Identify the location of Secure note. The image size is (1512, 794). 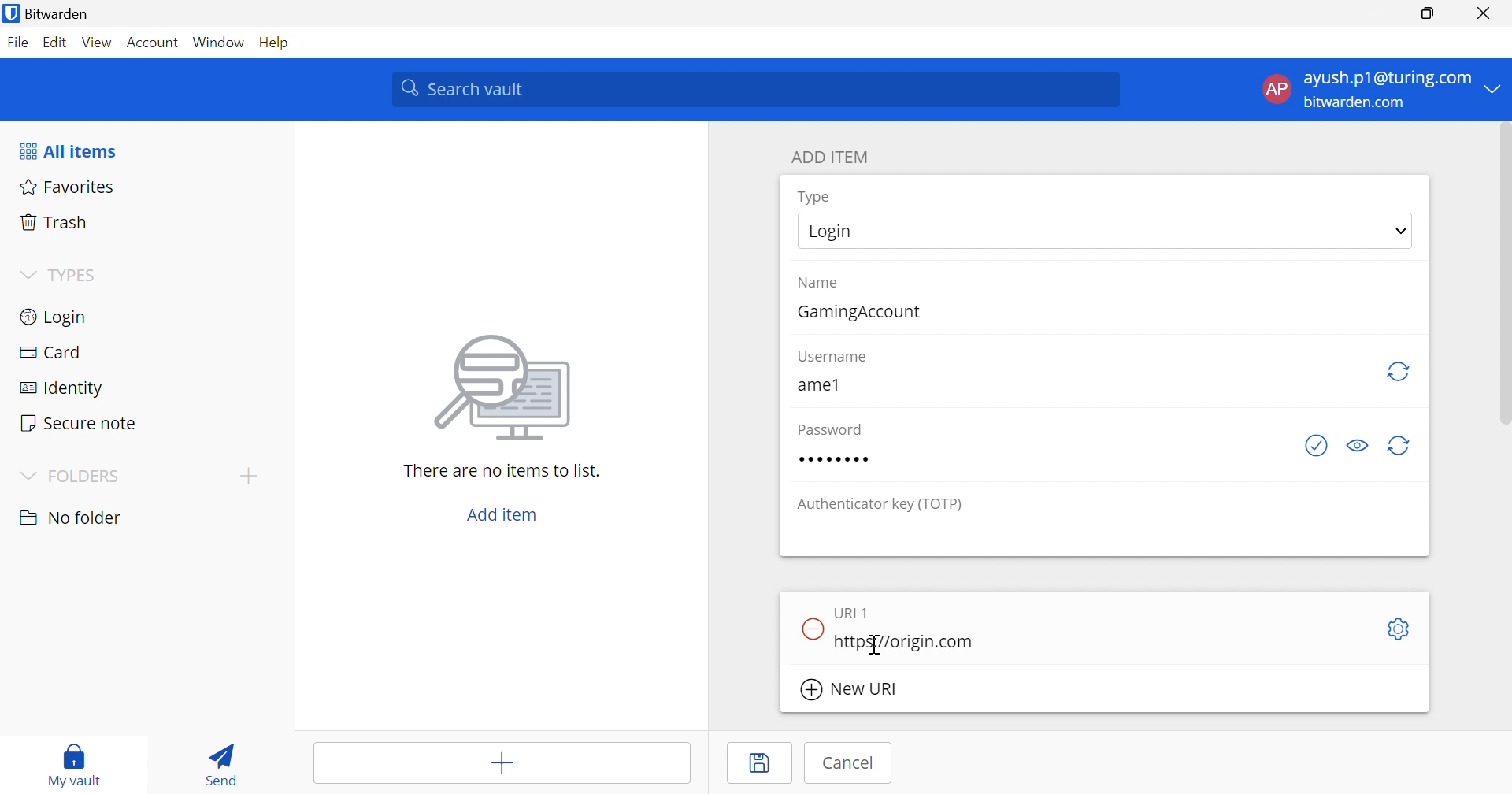
(80, 421).